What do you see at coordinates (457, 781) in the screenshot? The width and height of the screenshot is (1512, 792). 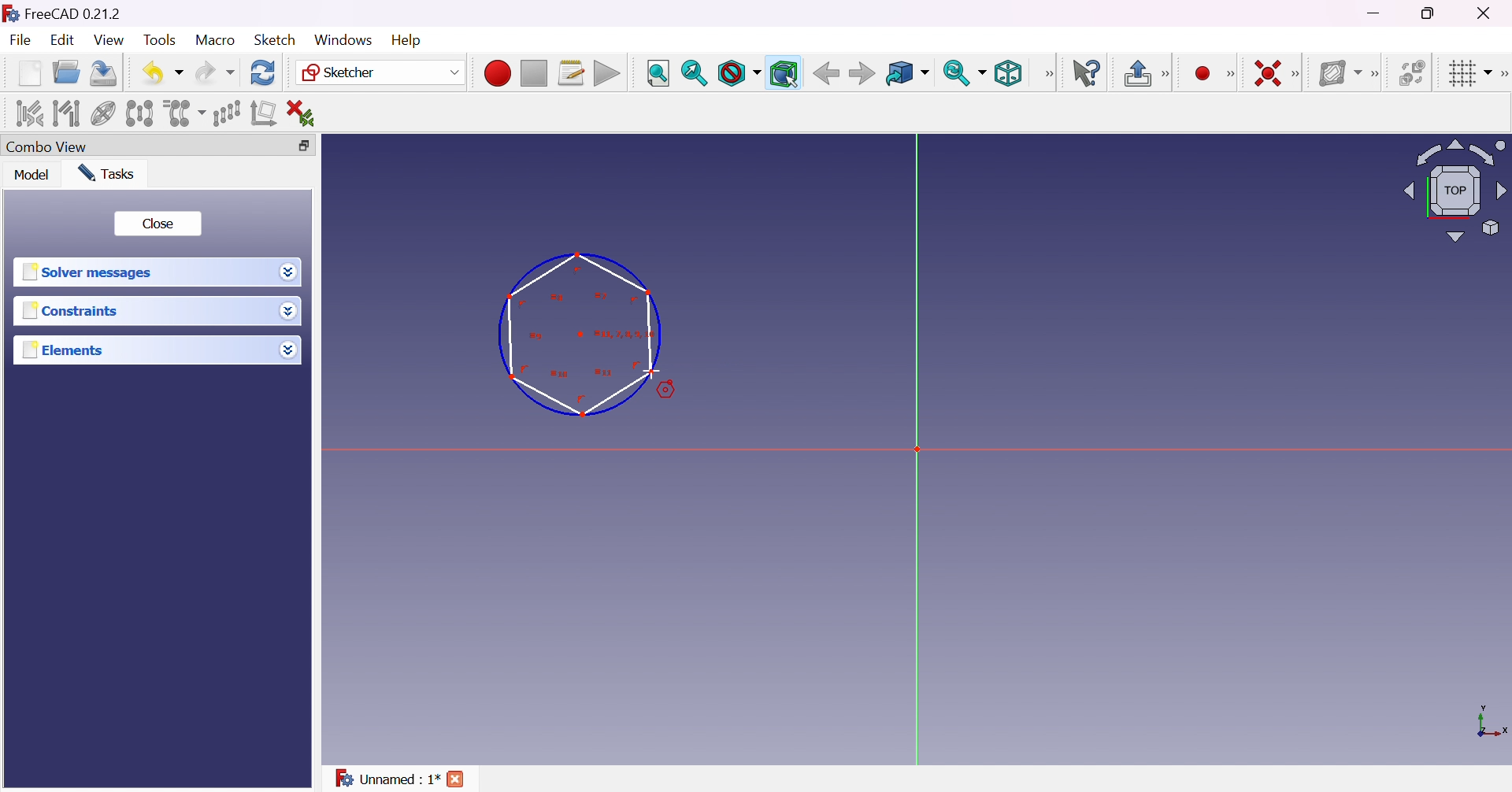 I see `Close` at bounding box center [457, 781].